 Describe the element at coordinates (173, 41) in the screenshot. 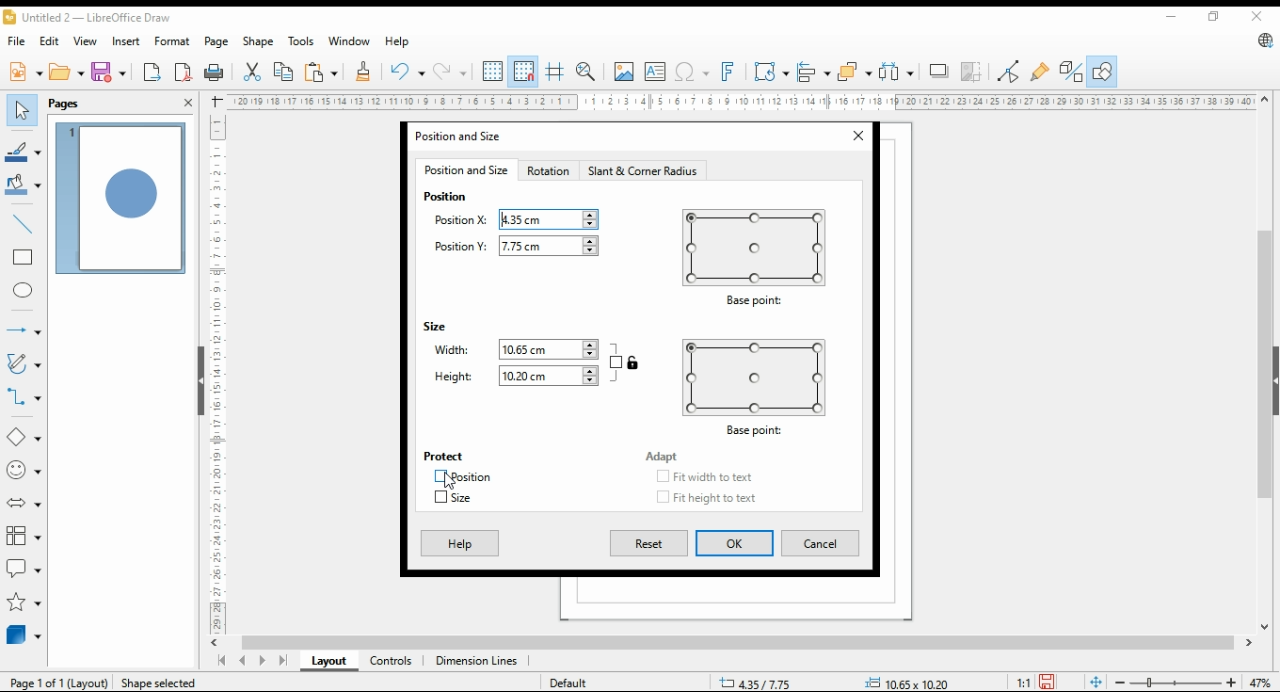

I see `format` at that location.